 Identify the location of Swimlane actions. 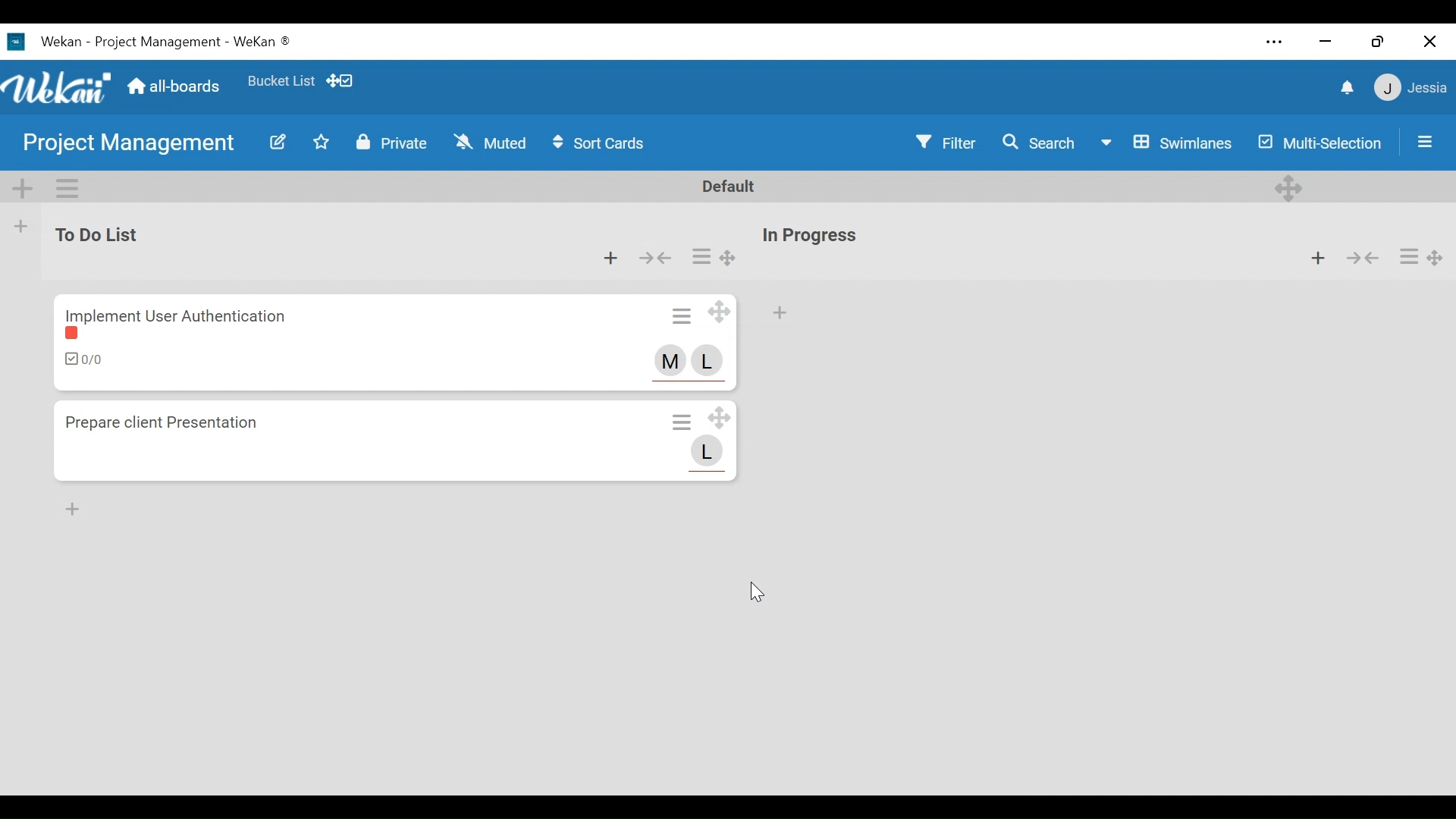
(67, 187).